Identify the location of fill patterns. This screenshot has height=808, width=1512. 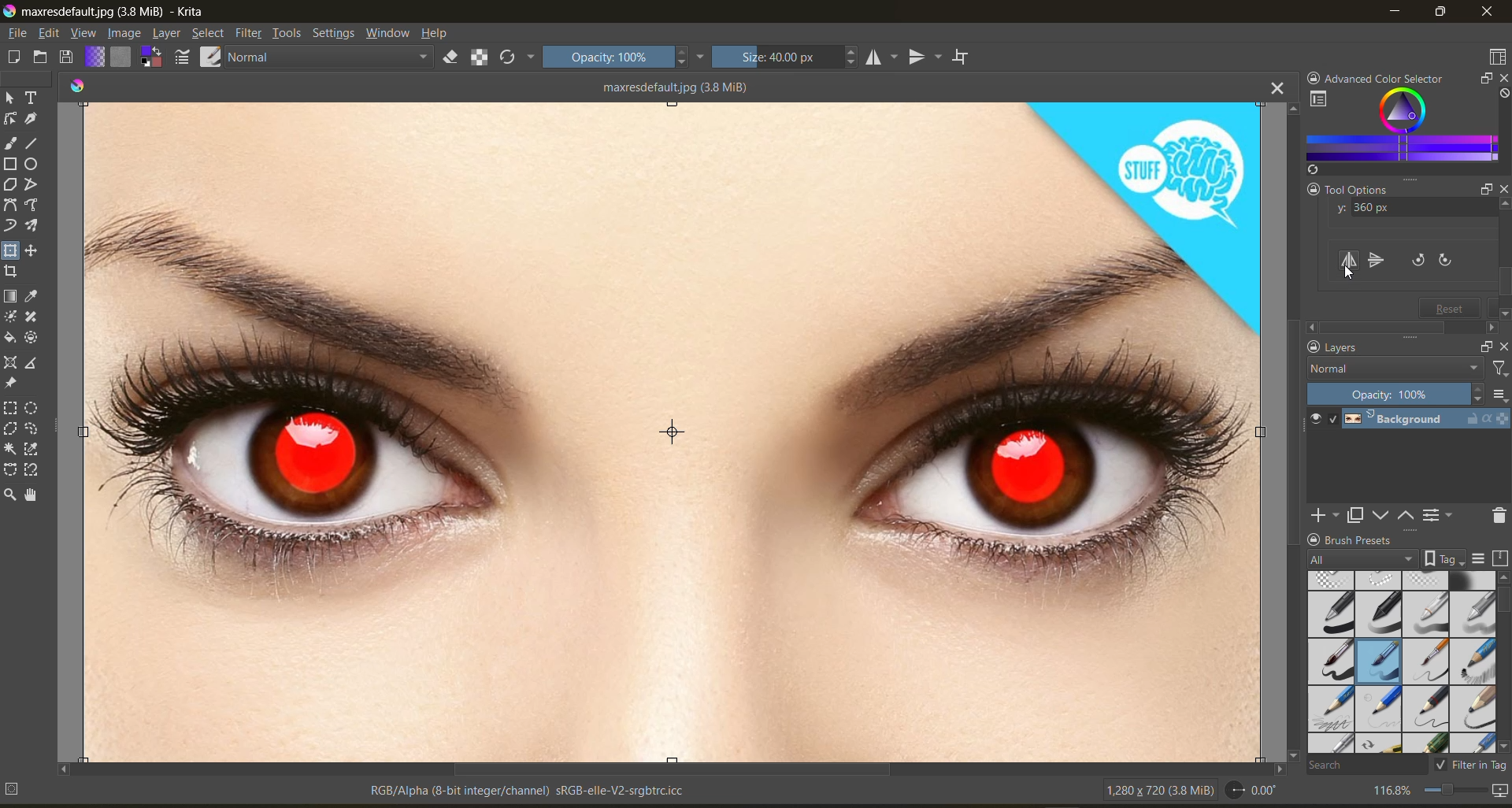
(123, 57).